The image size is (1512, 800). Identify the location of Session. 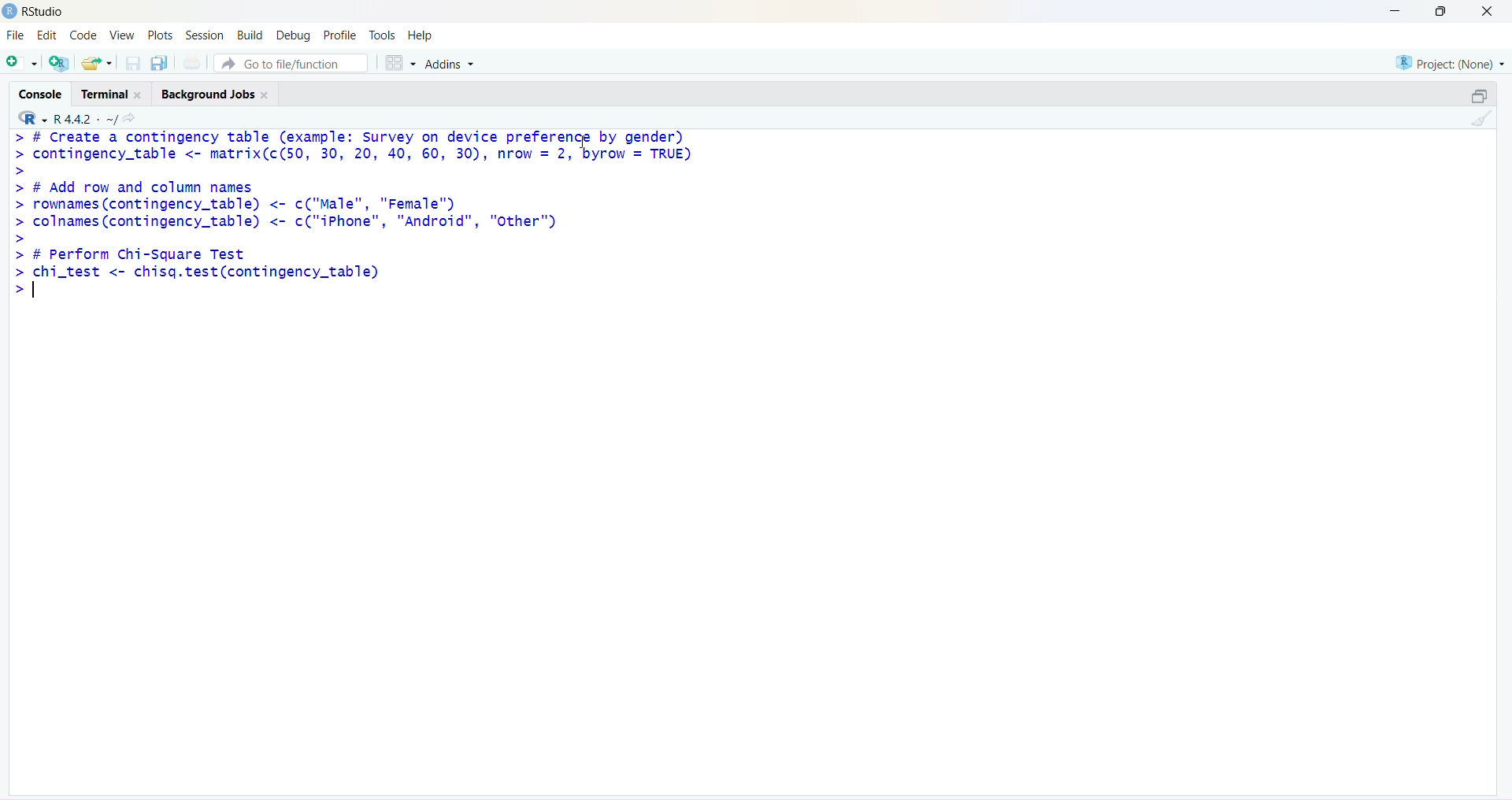
(205, 35).